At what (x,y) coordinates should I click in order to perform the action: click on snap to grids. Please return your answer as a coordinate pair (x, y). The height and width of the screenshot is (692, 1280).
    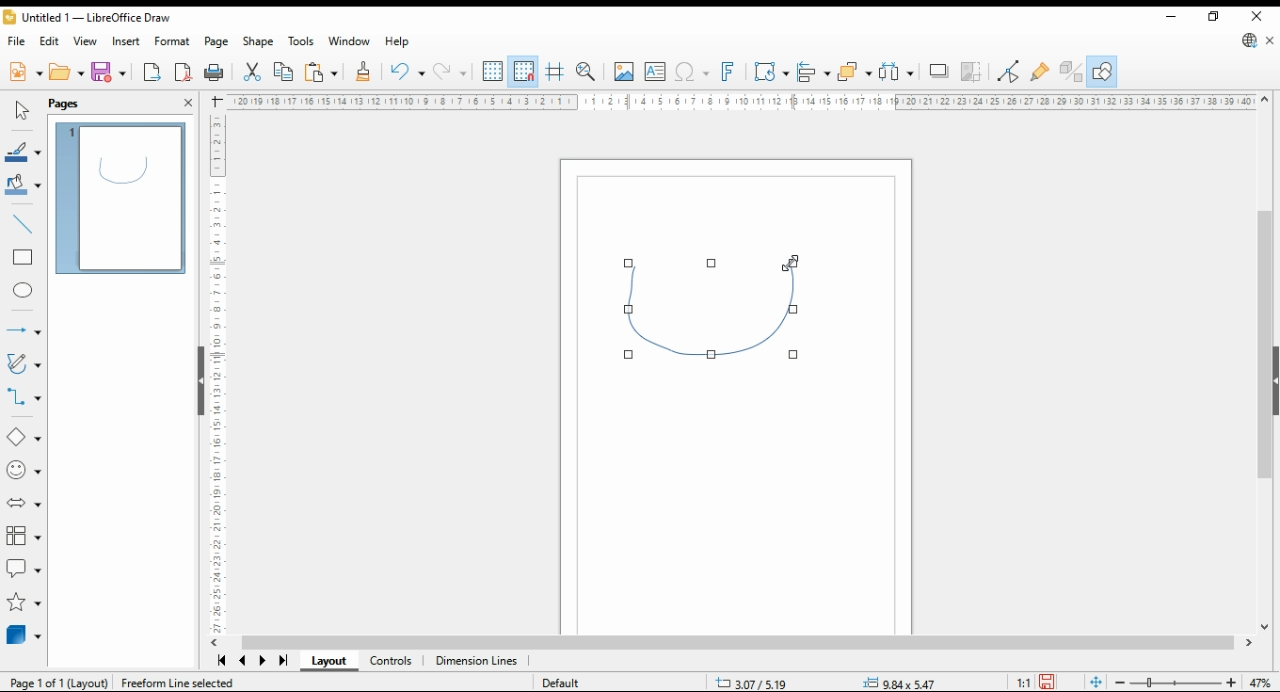
    Looking at the image, I should click on (524, 71).